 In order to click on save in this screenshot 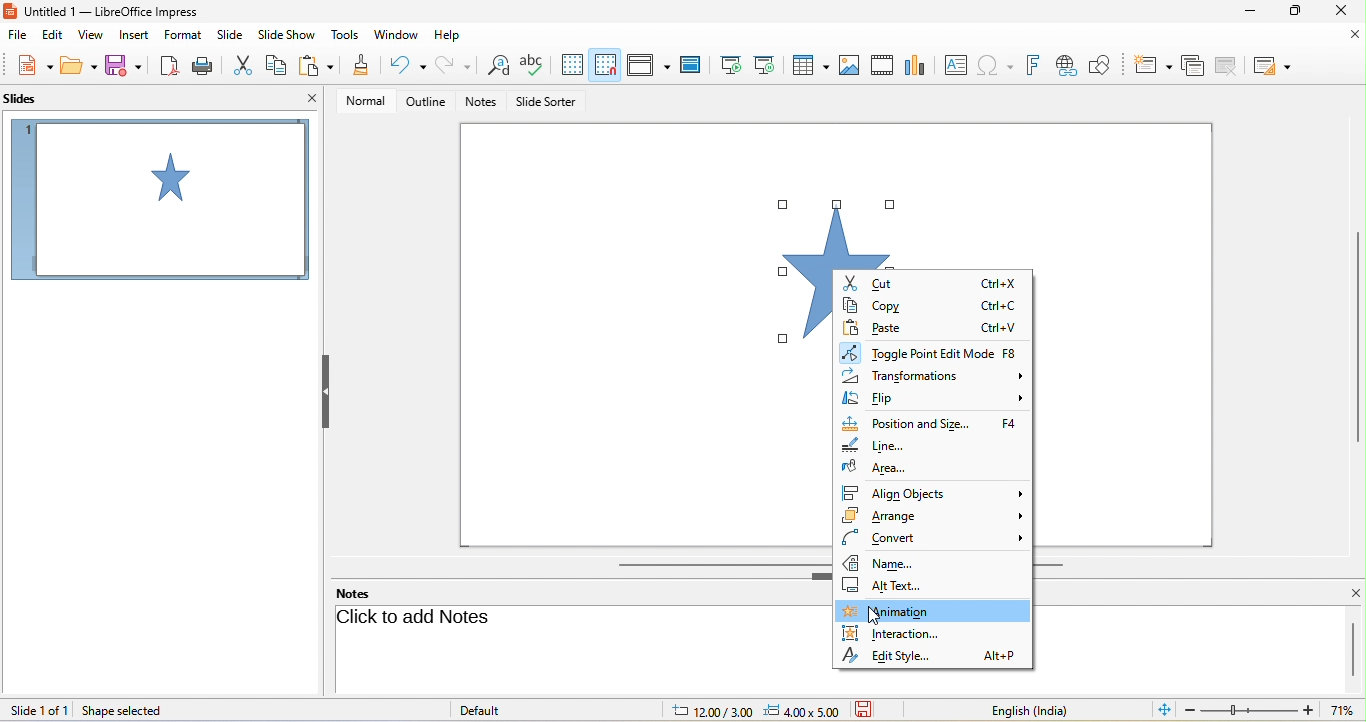, I will do `click(123, 66)`.